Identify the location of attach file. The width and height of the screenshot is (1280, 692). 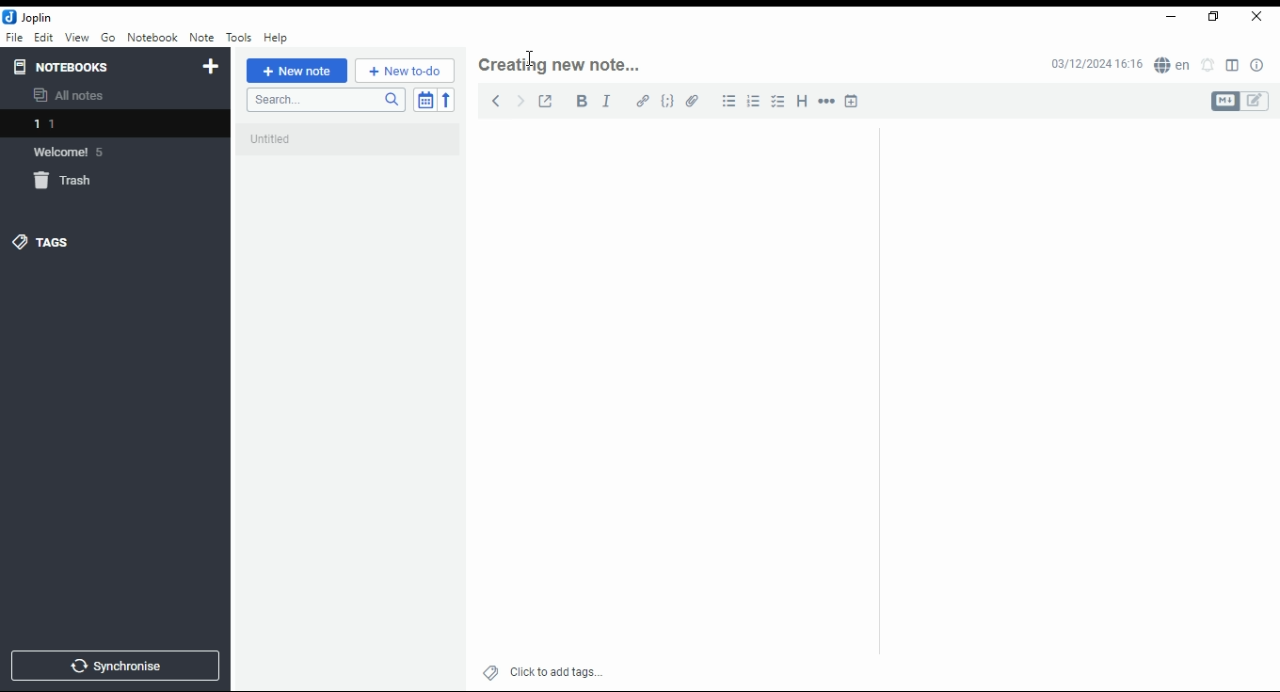
(693, 100).